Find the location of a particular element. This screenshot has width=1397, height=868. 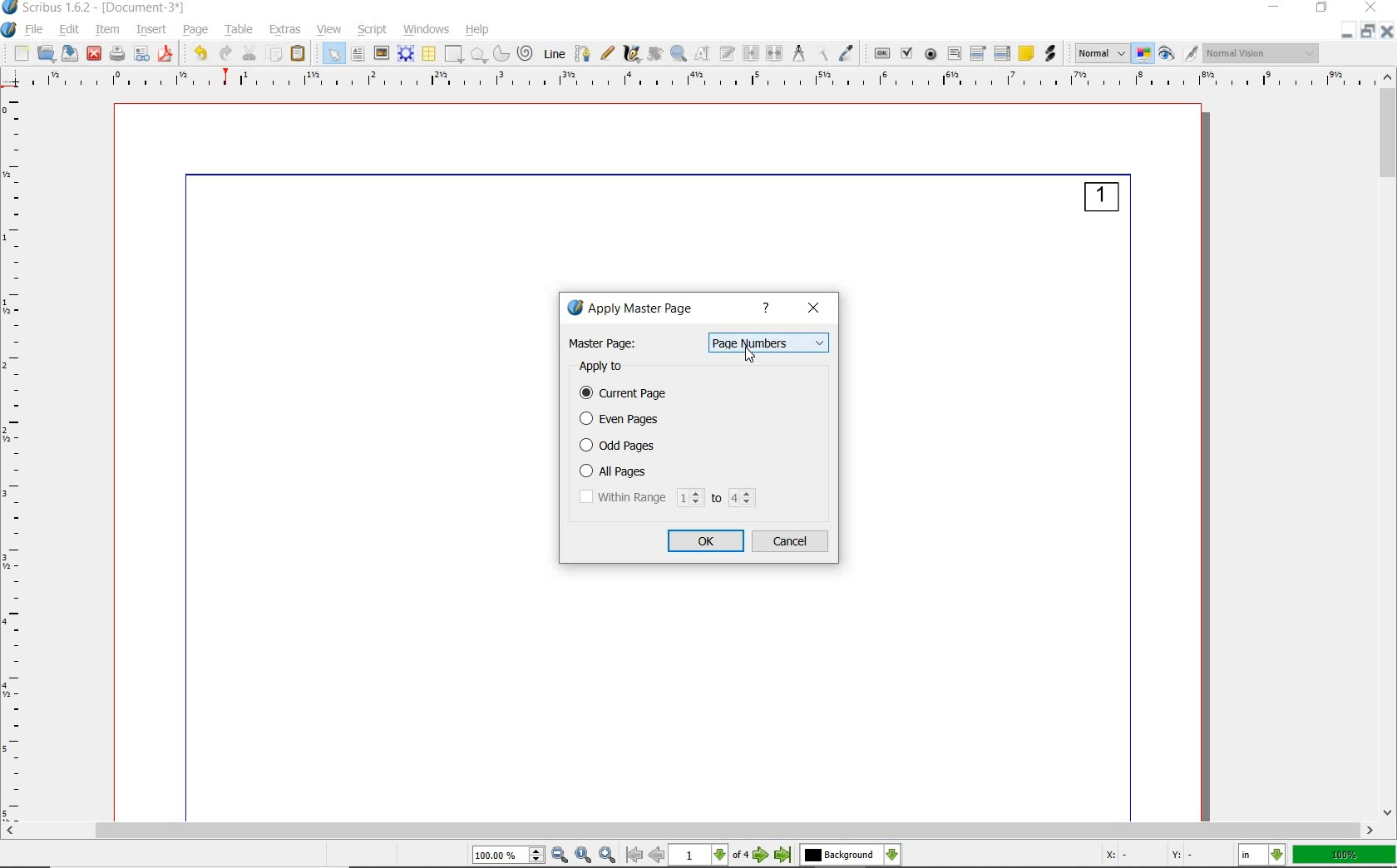

Master page is located at coordinates (605, 343).